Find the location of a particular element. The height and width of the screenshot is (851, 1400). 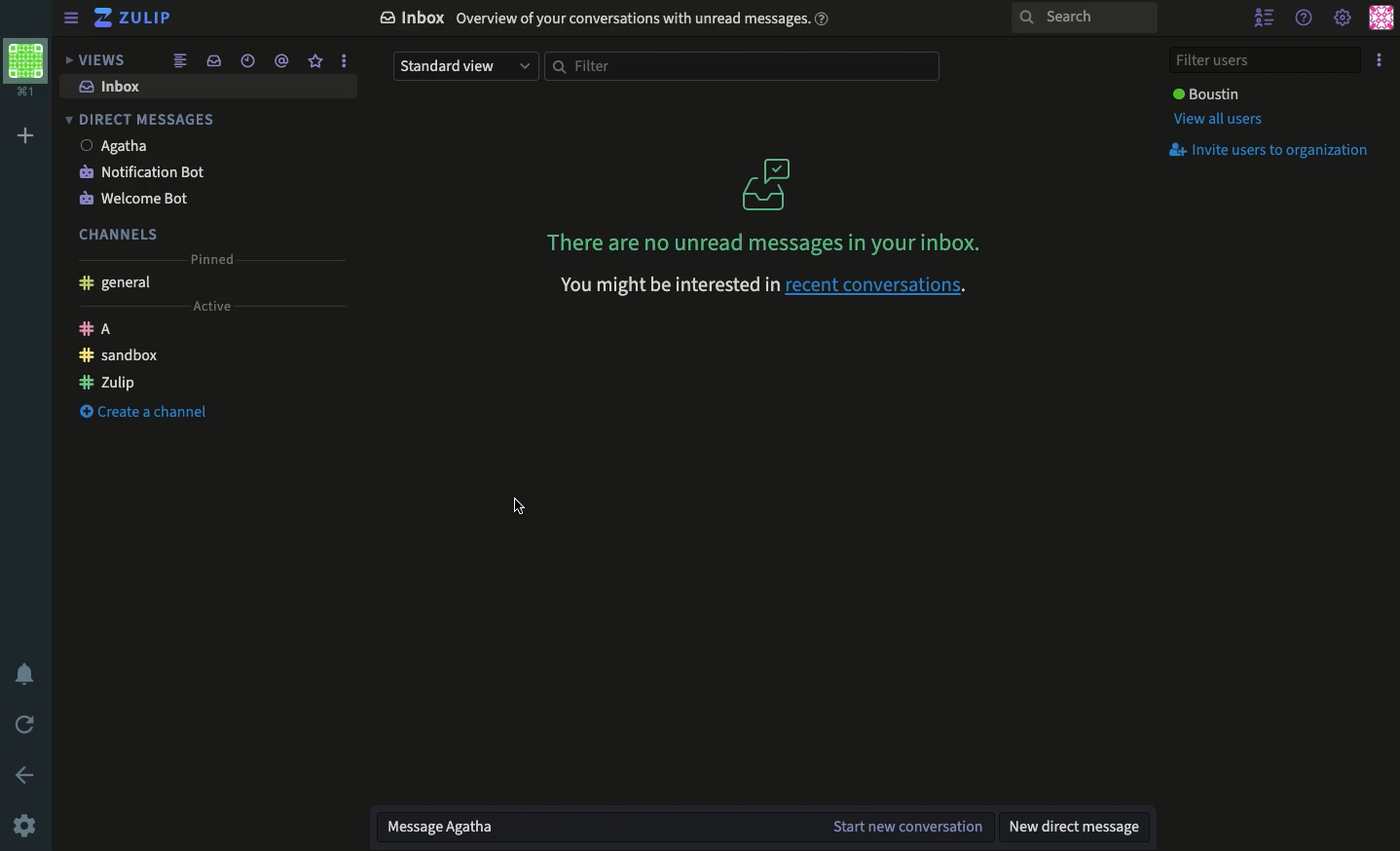

Enabled is located at coordinates (75, 20).